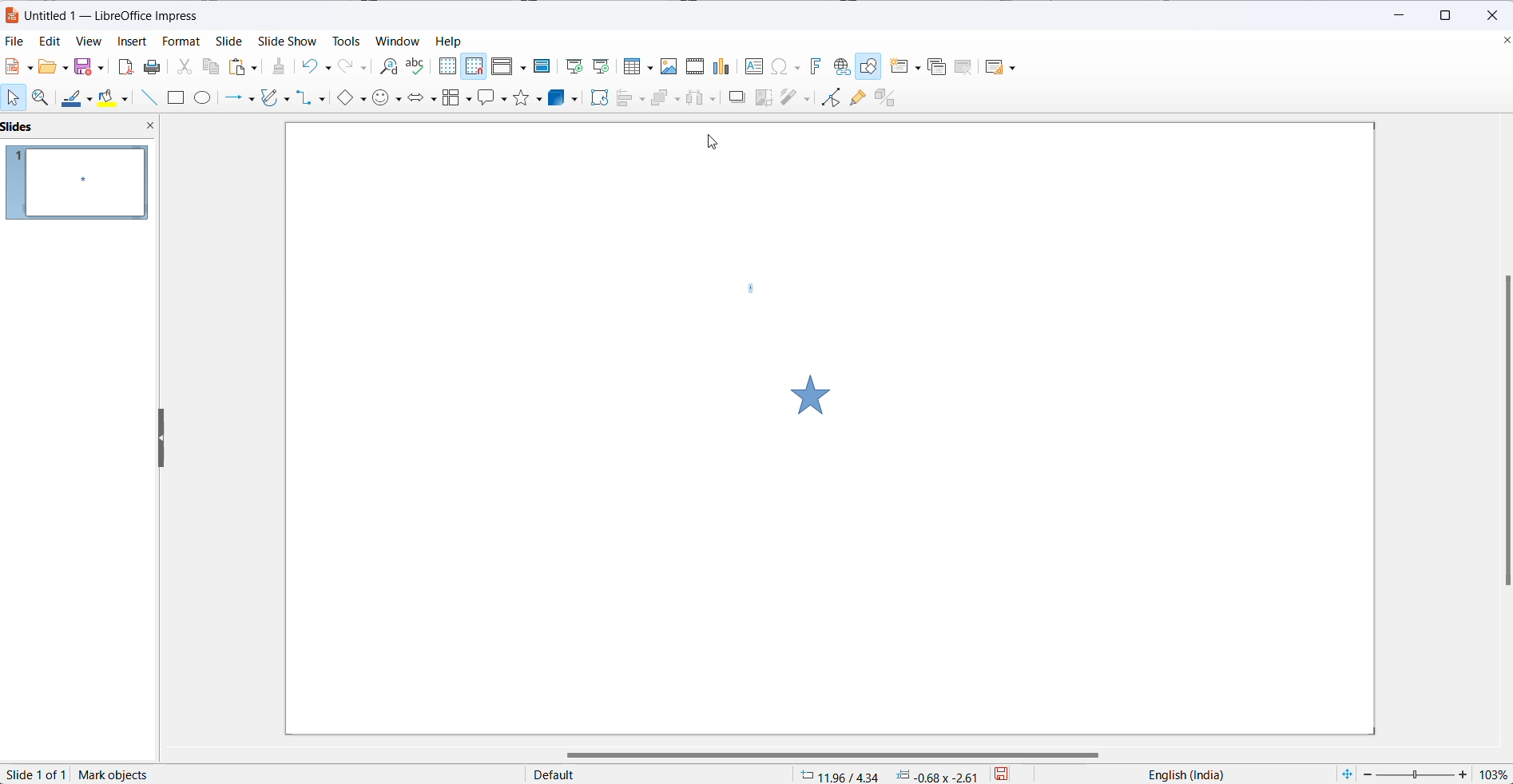  Describe the element at coordinates (126, 65) in the screenshot. I see `export as pdf ` at that location.